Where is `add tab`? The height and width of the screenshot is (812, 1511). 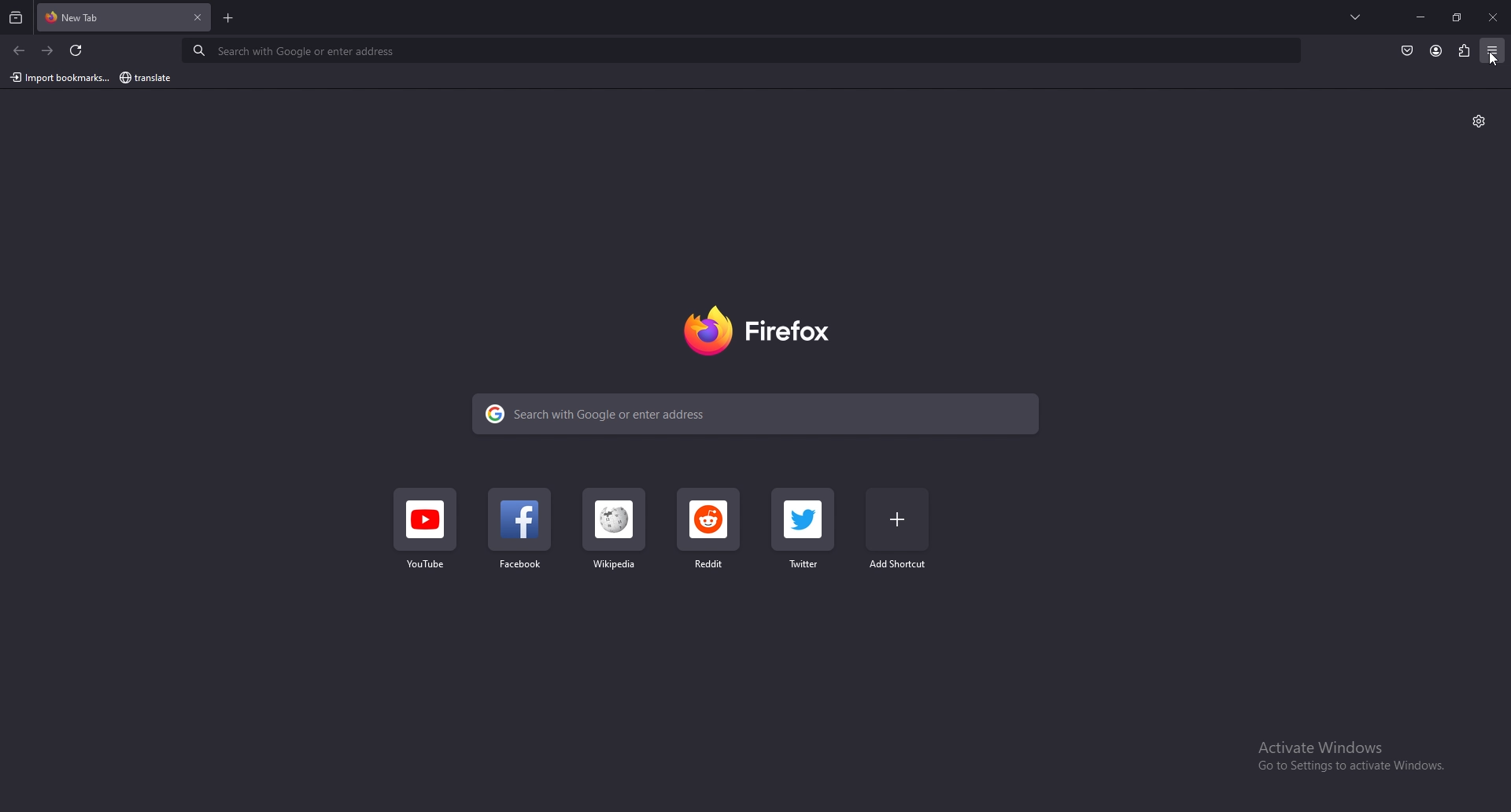
add tab is located at coordinates (229, 18).